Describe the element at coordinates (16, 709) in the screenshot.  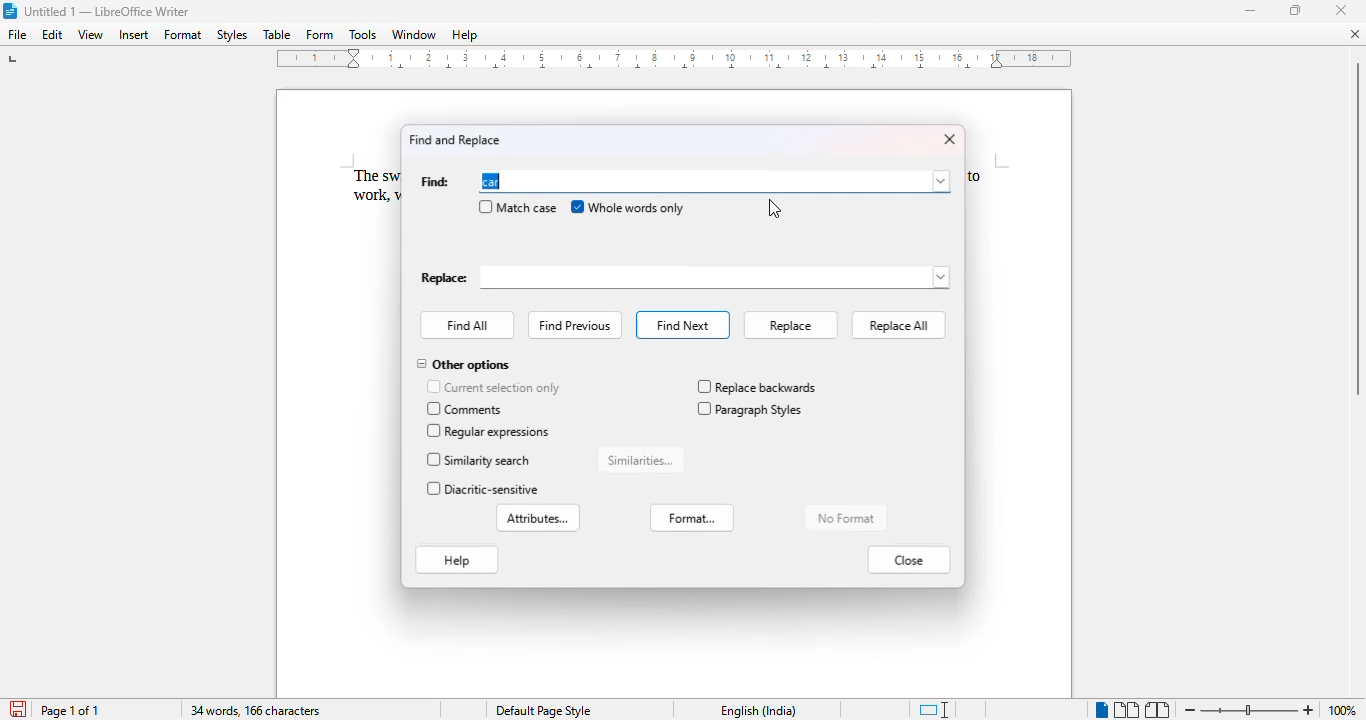
I see `save document` at that location.